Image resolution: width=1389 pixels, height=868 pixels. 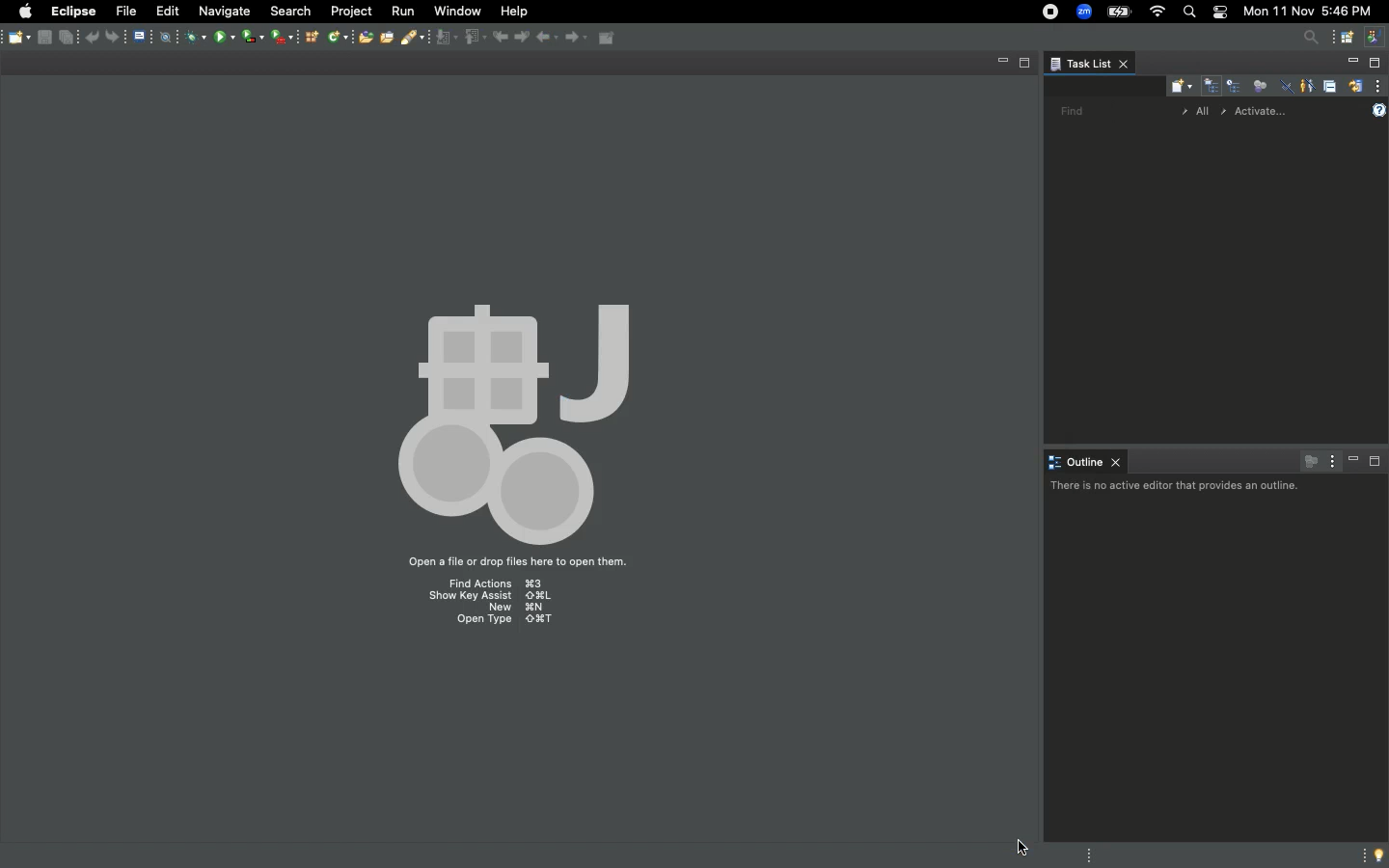 I want to click on minimize, so click(x=1003, y=61).